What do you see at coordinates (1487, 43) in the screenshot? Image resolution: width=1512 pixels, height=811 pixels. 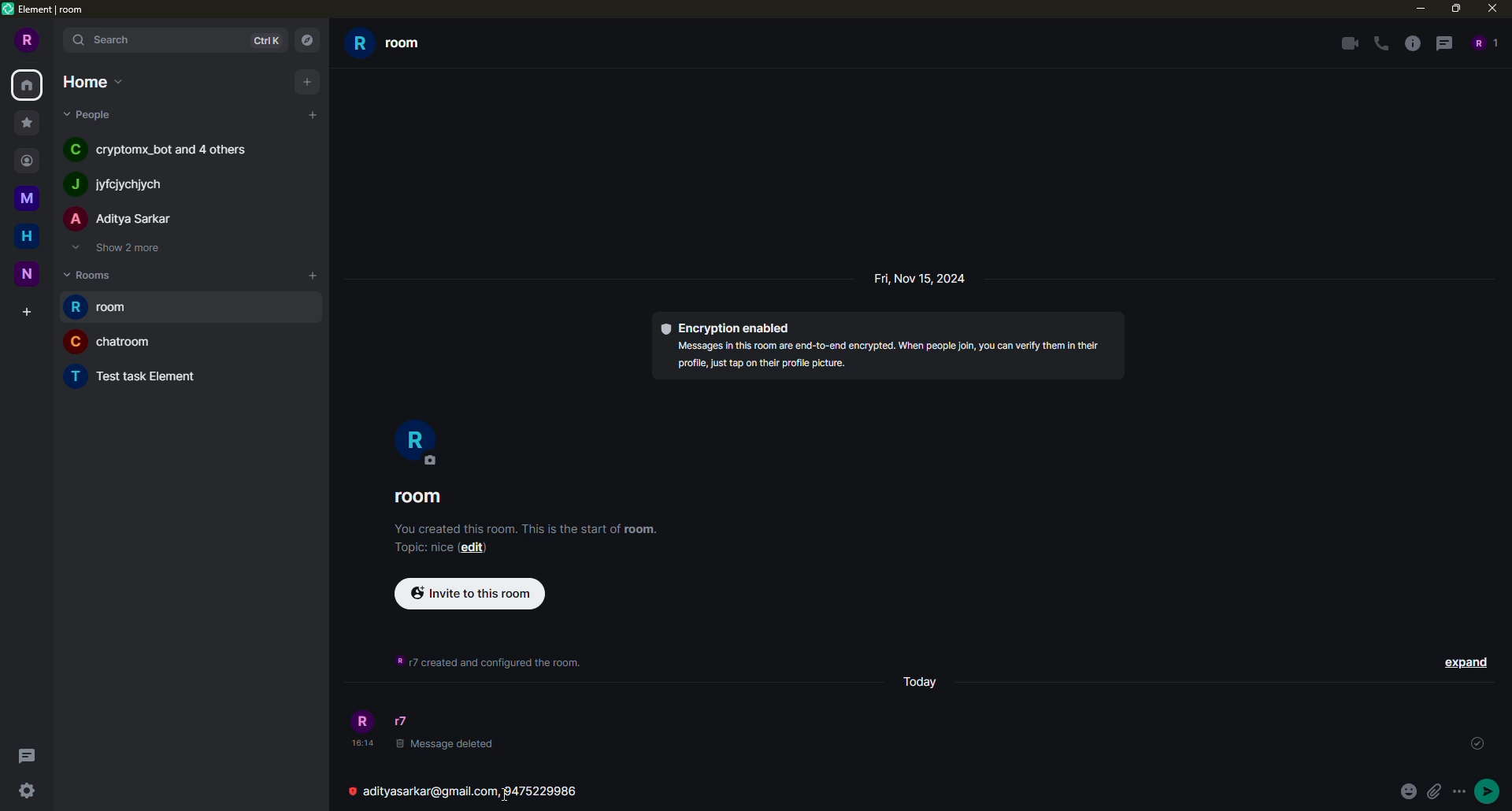 I see `people` at bounding box center [1487, 43].